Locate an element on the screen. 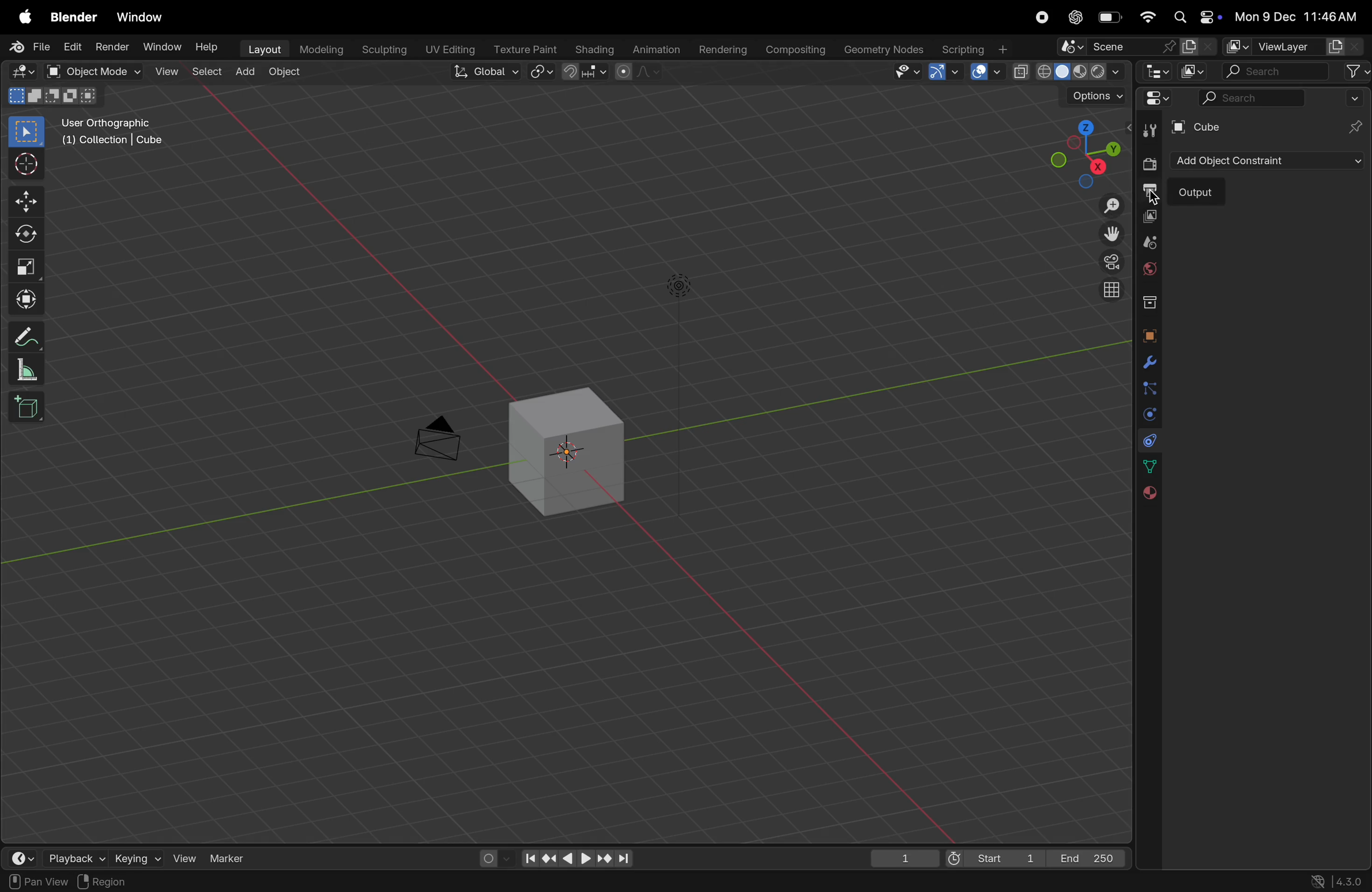 The image size is (1372, 892). maker is located at coordinates (233, 855).